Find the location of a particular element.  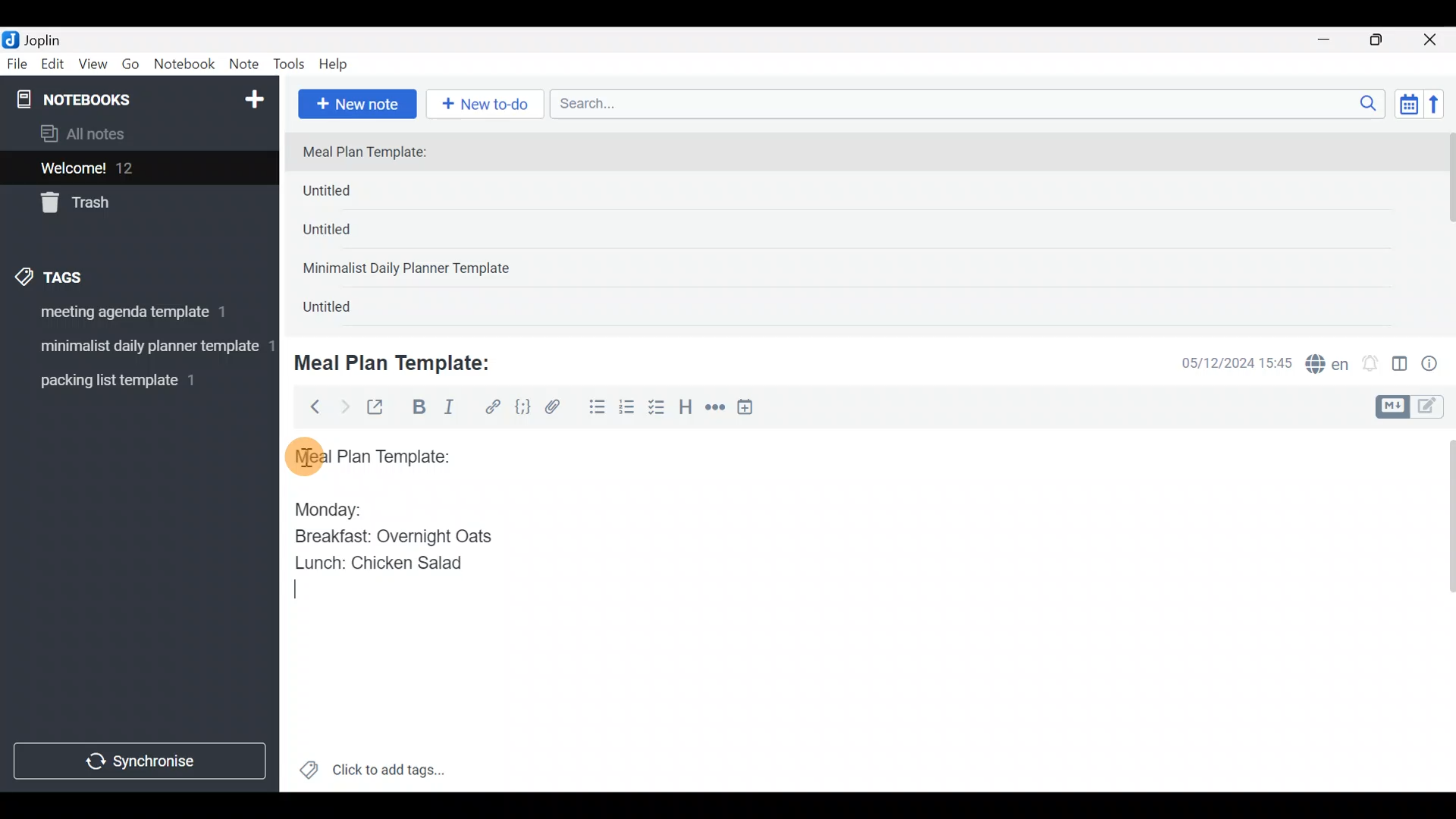

Scroll bar is located at coordinates (1447, 229).